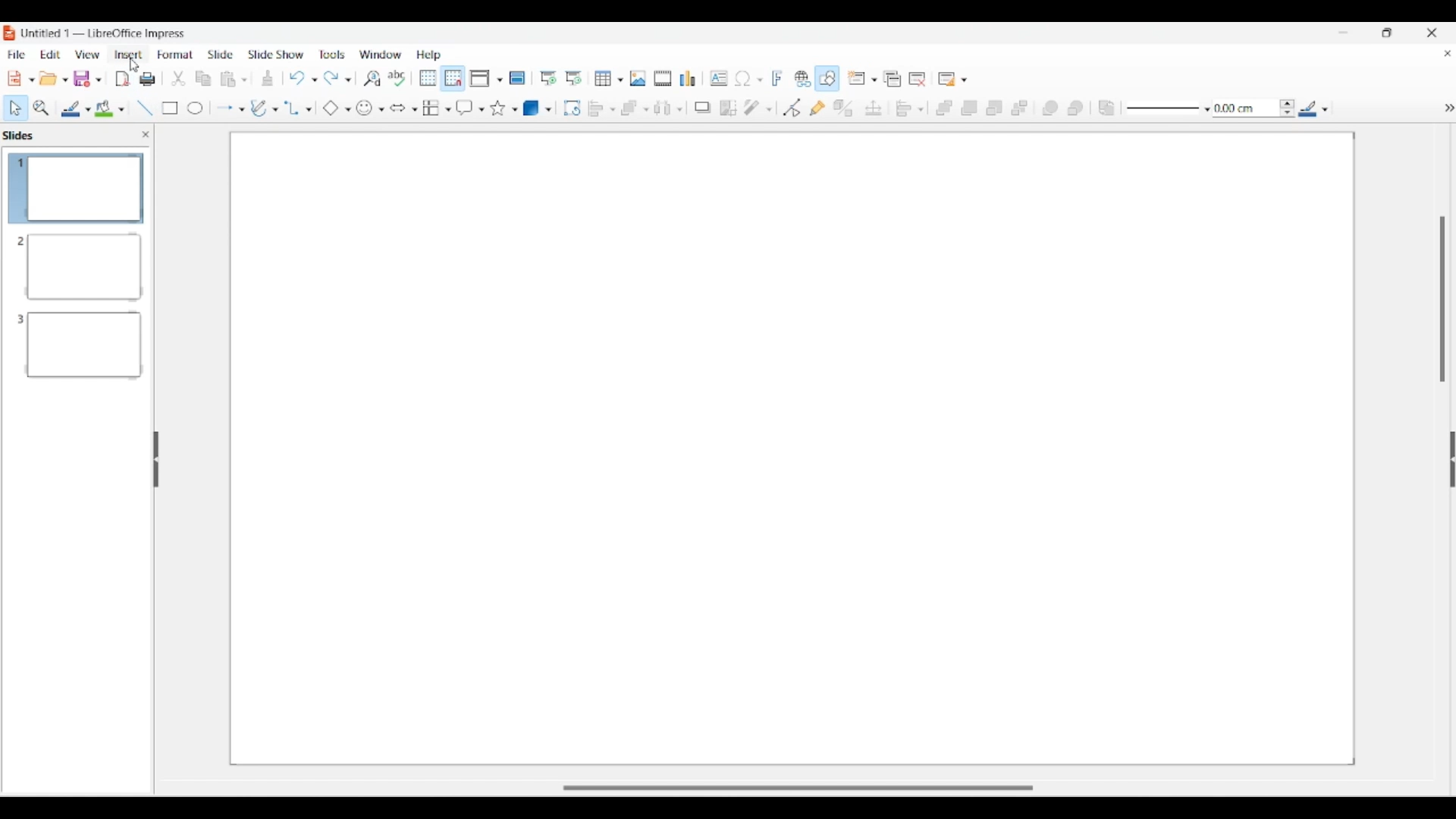 The image size is (1456, 819). I want to click on Insert special character options, so click(748, 78).